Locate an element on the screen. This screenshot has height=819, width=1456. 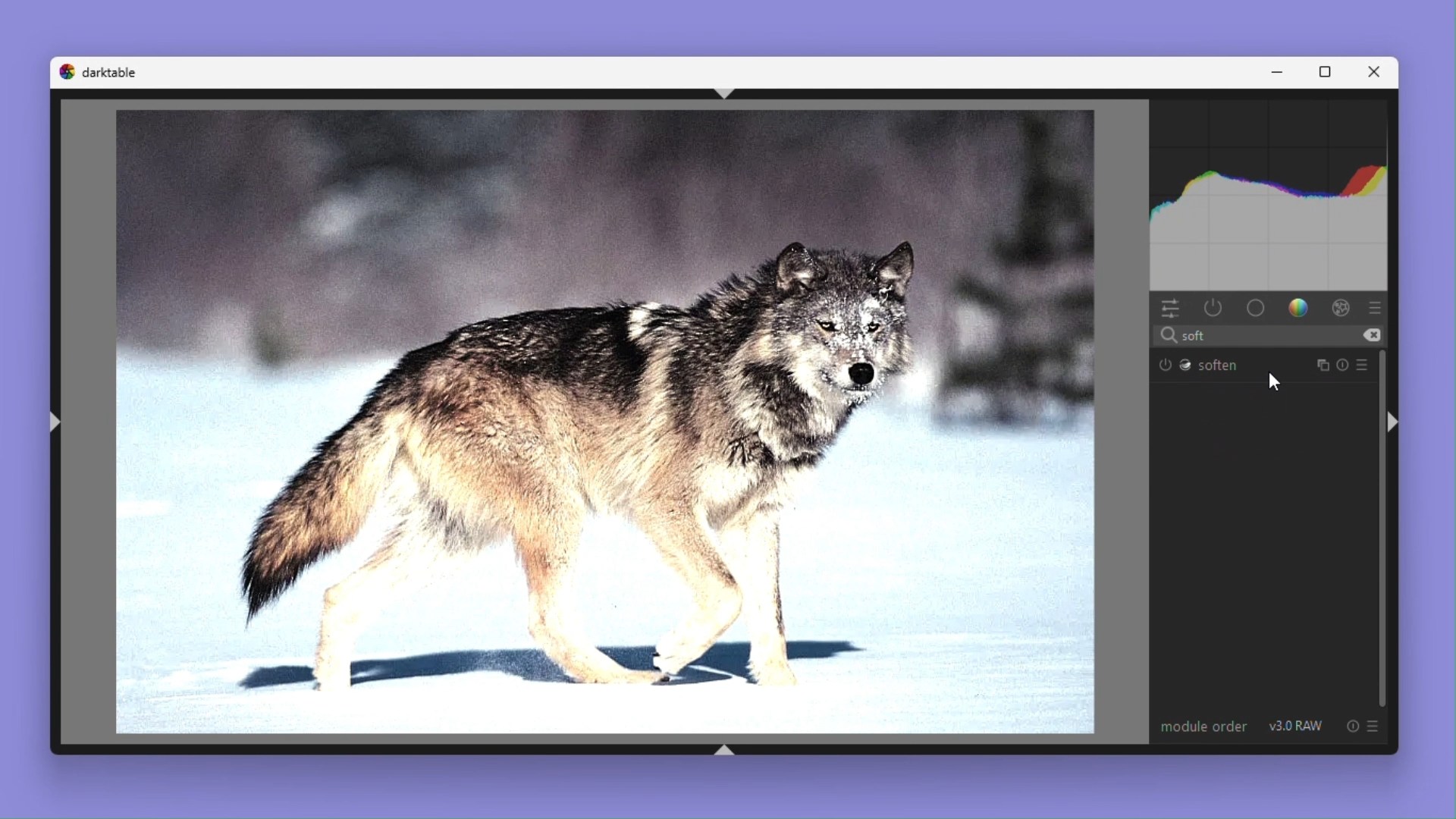
Multiple instance is located at coordinates (1319, 365).